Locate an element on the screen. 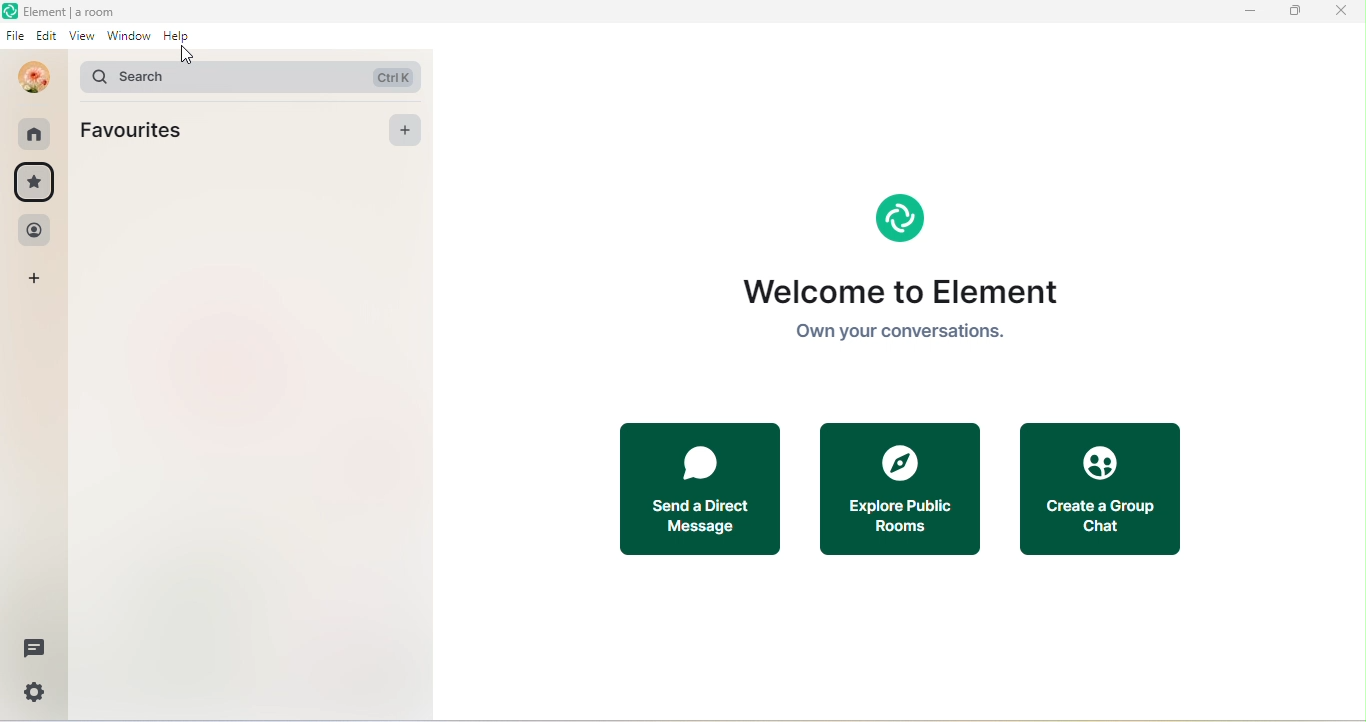 The height and width of the screenshot is (722, 1366). maximize is located at coordinates (1295, 13).